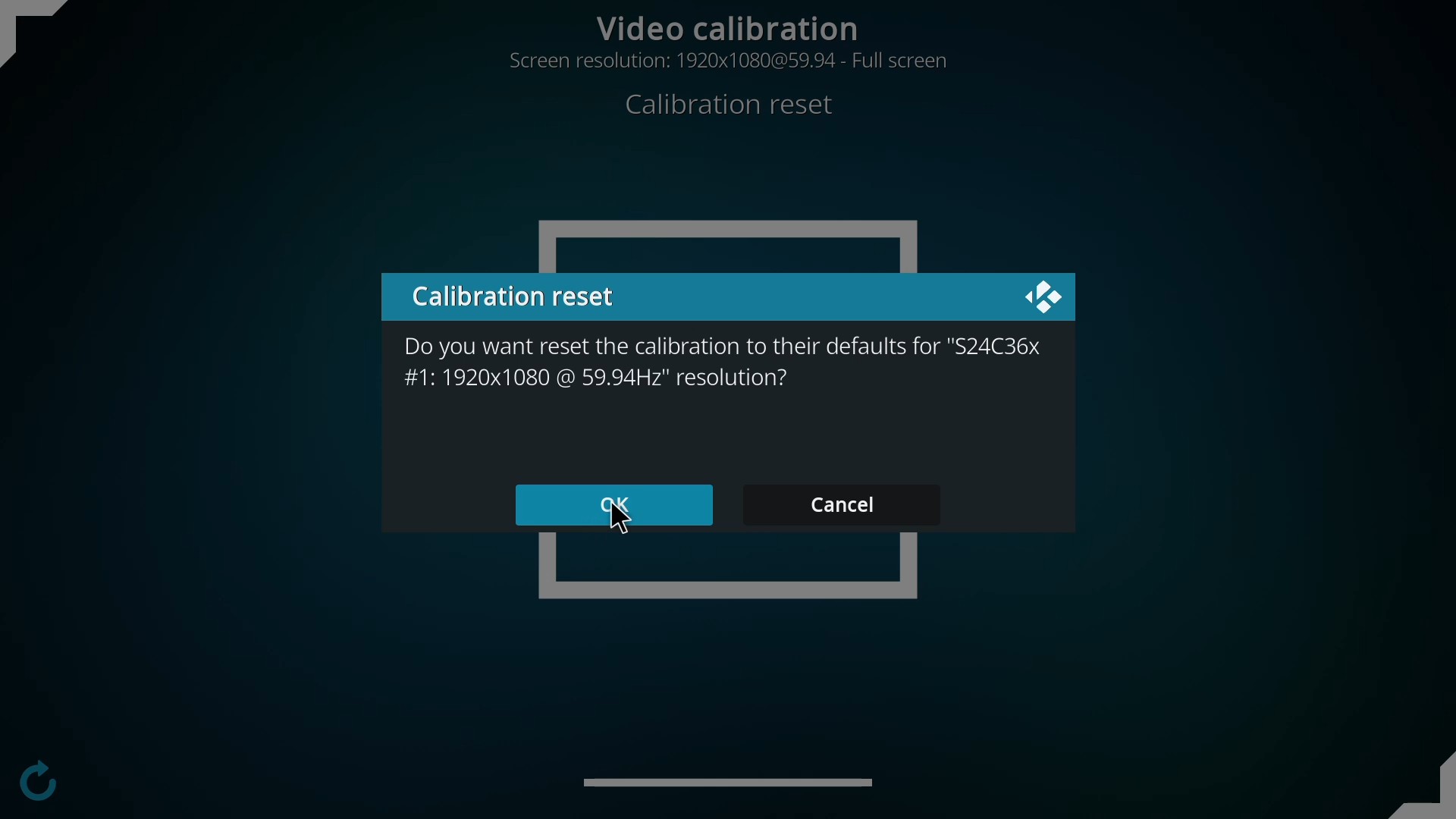 The image size is (1456, 819). What do you see at coordinates (622, 524) in the screenshot?
I see `cursor` at bounding box center [622, 524].